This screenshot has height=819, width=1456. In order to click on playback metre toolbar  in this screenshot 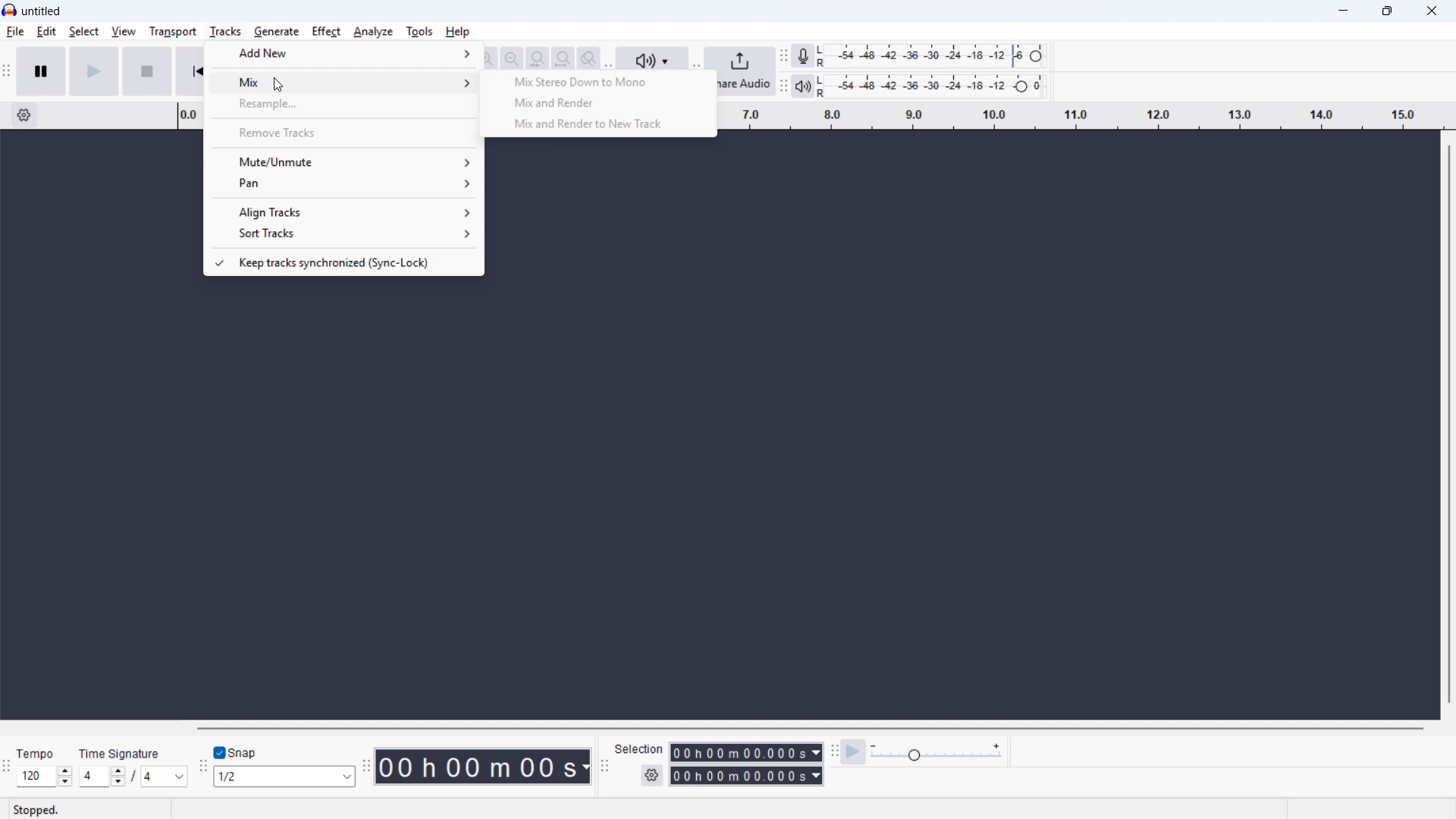, I will do `click(802, 85)`.